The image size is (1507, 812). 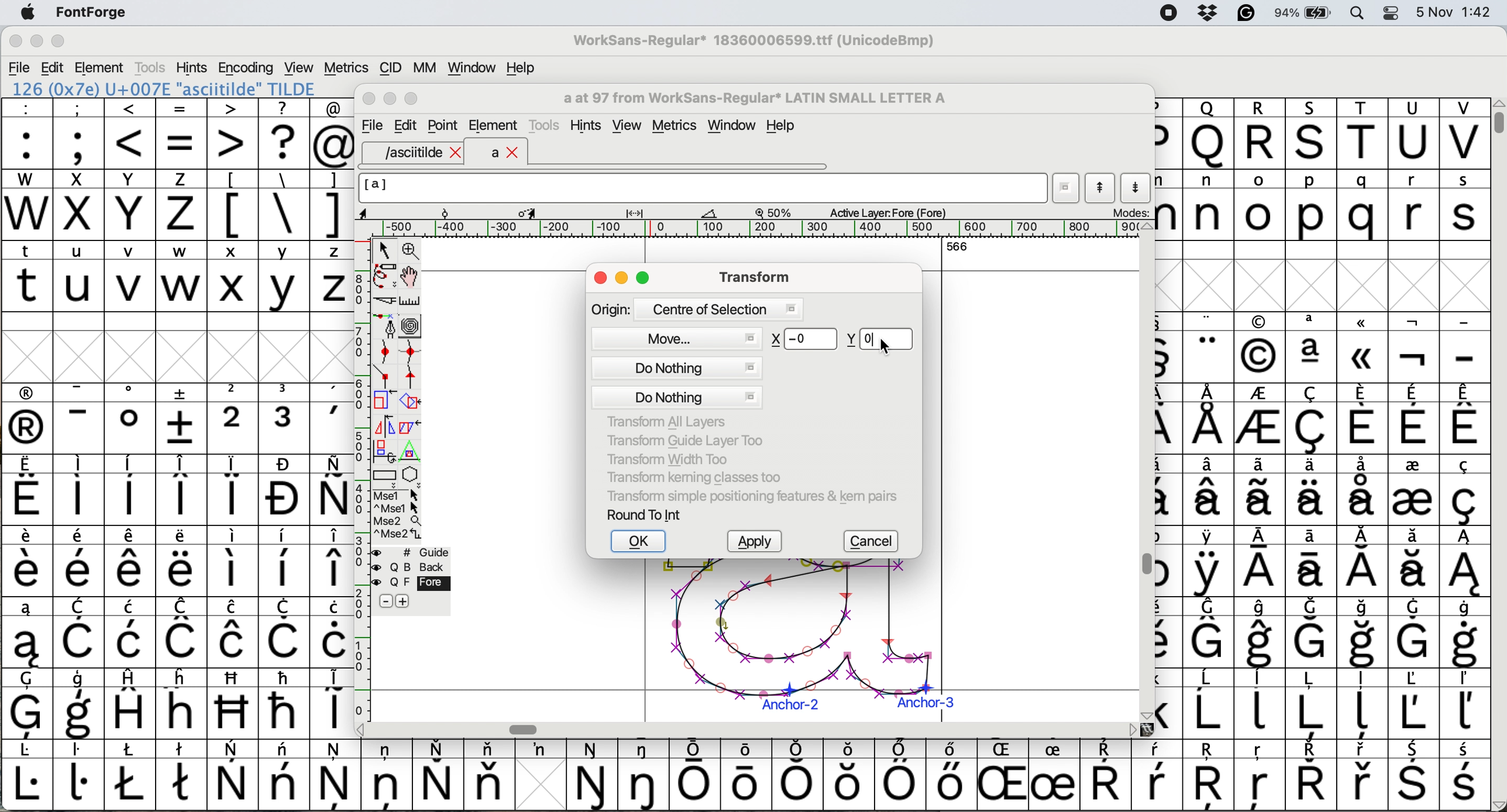 What do you see at coordinates (749, 498) in the screenshot?
I see `transform simple positioning features and kern pairs` at bounding box center [749, 498].